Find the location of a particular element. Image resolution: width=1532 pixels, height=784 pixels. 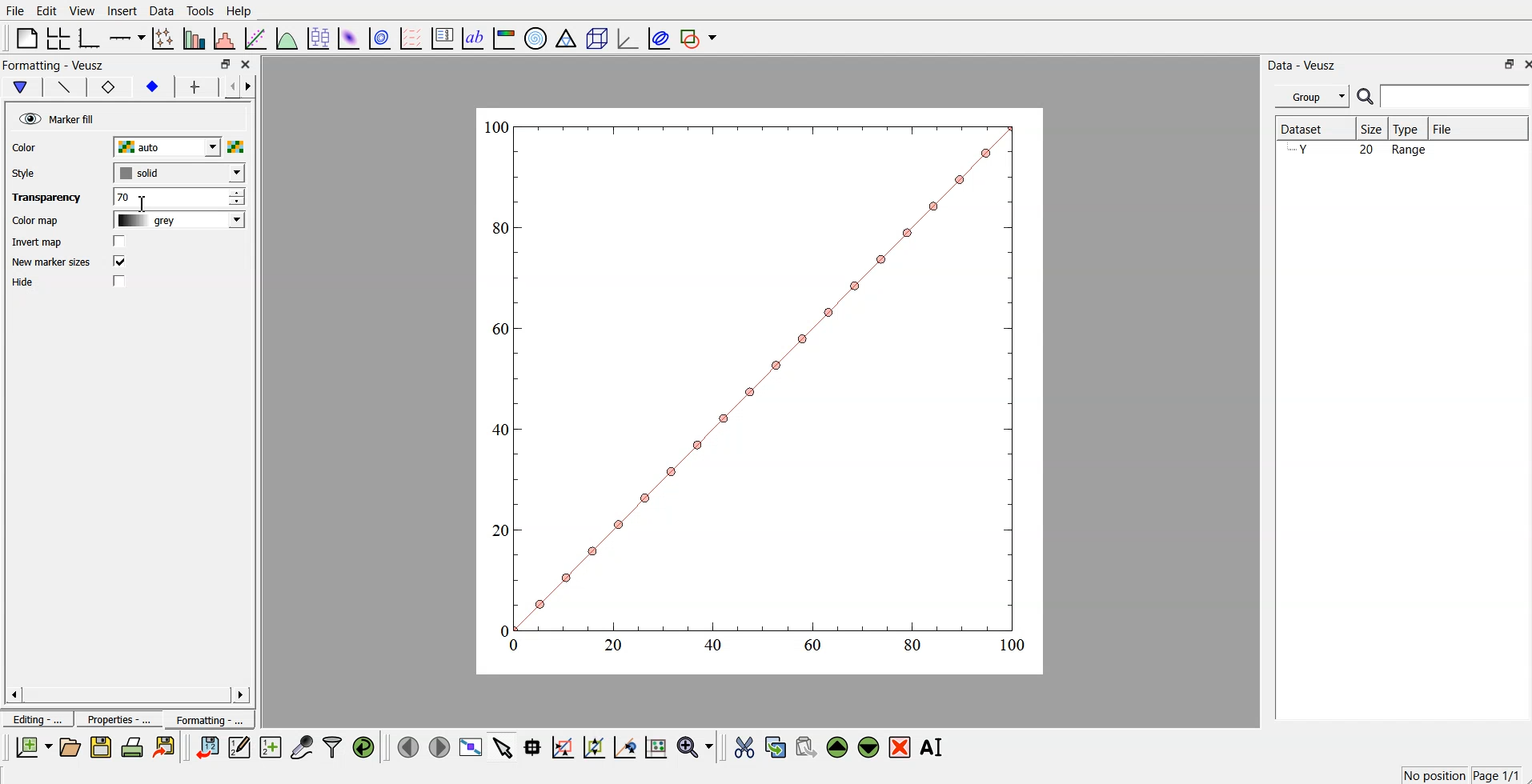

plot a vector field is located at coordinates (413, 38).